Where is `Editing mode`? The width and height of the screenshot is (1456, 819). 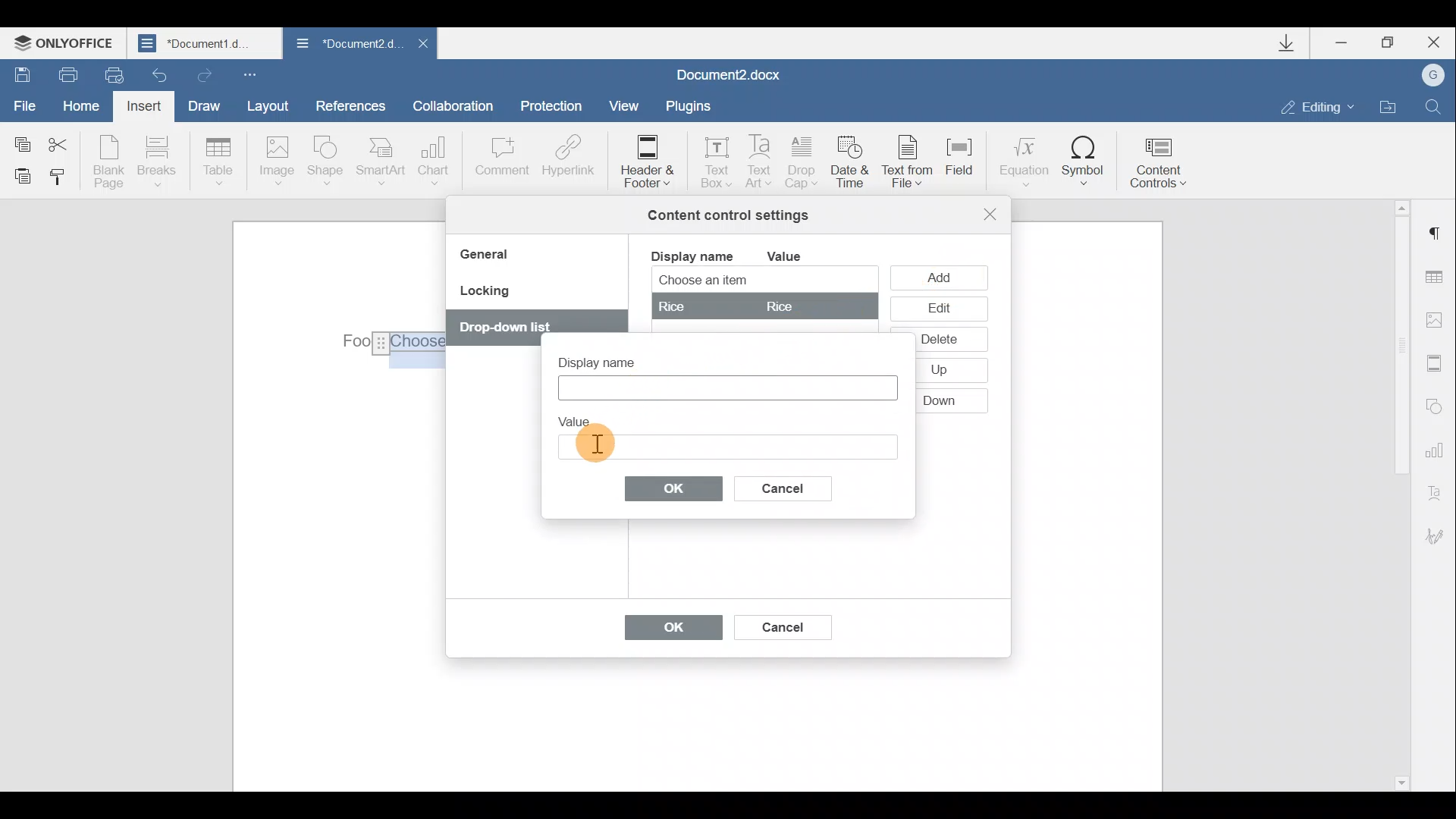 Editing mode is located at coordinates (1318, 106).